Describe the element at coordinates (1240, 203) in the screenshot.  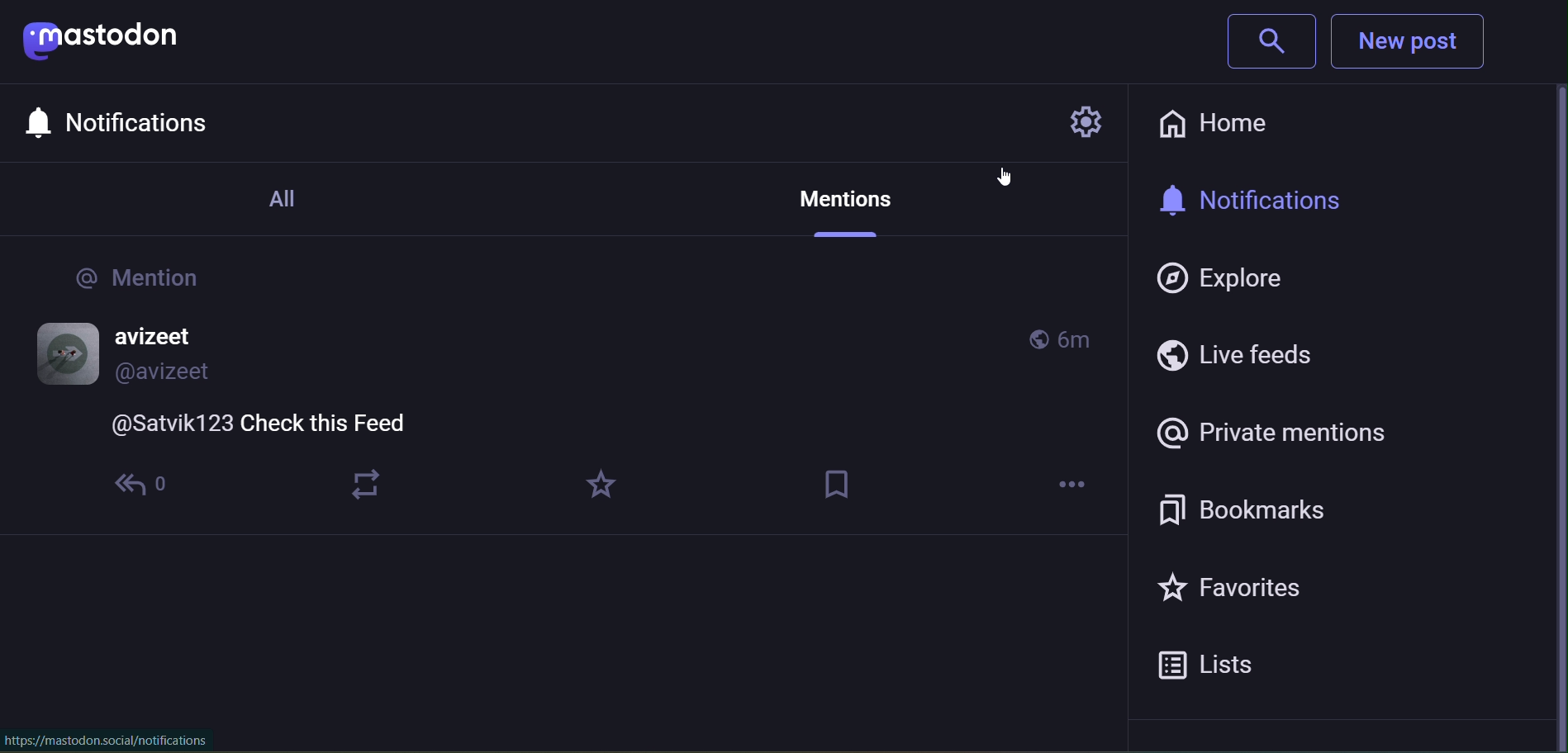
I see `notifications` at that location.